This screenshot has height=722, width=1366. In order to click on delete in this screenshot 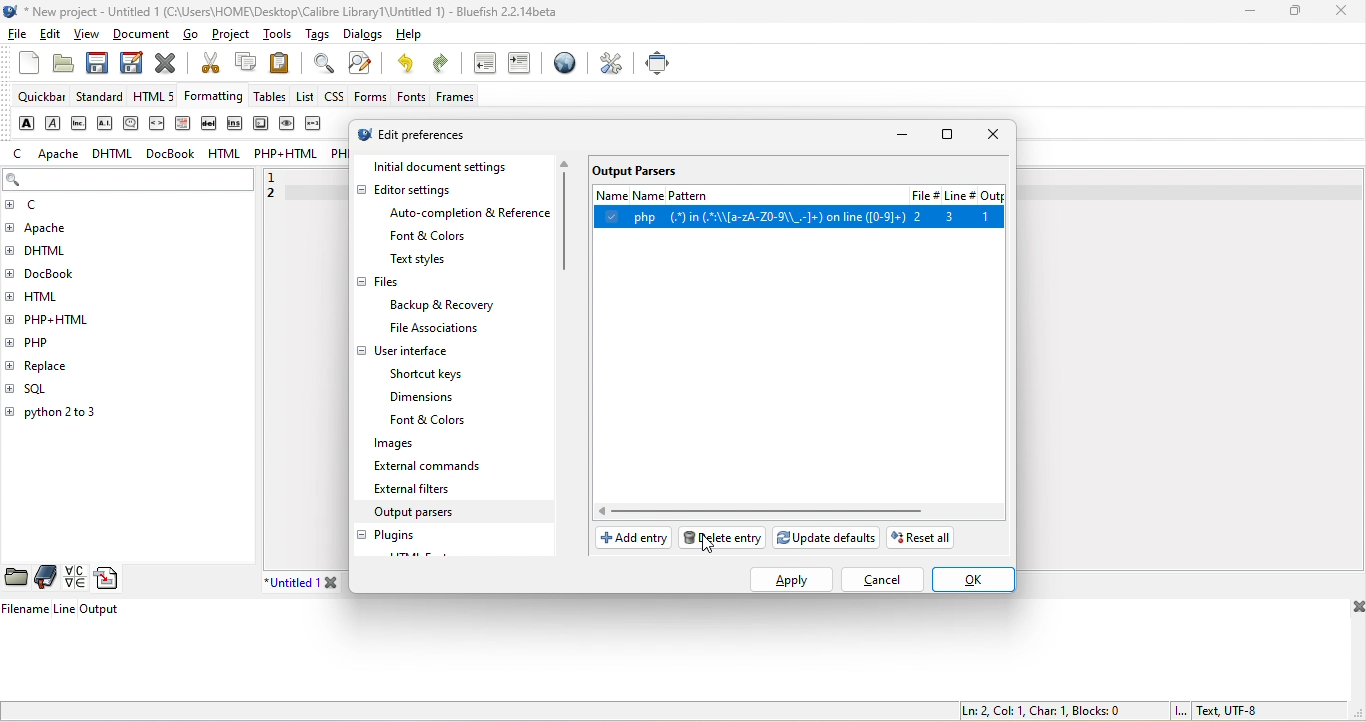, I will do `click(210, 123)`.